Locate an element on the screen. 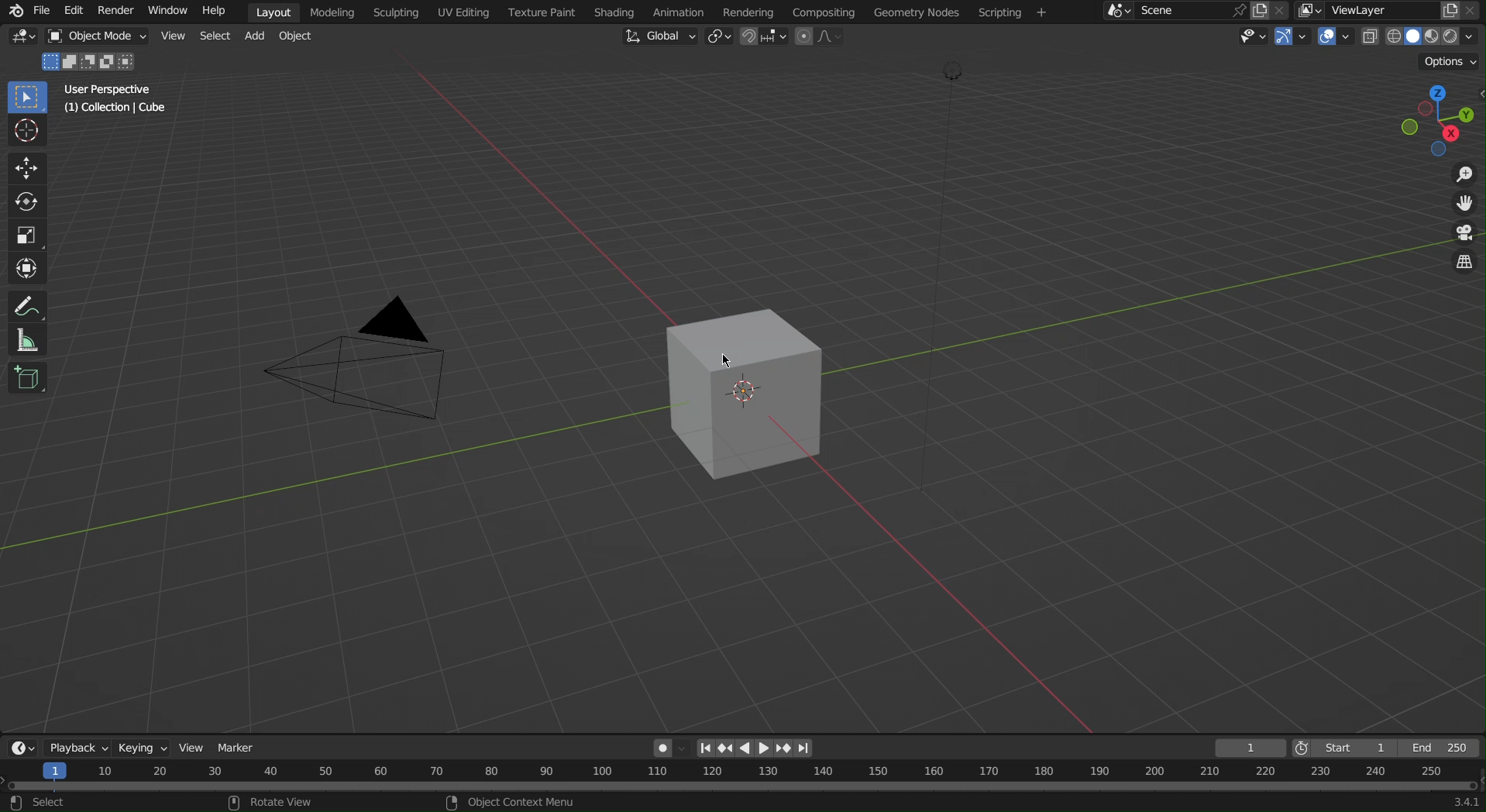 The image size is (1486, 812). Add is located at coordinates (259, 38).